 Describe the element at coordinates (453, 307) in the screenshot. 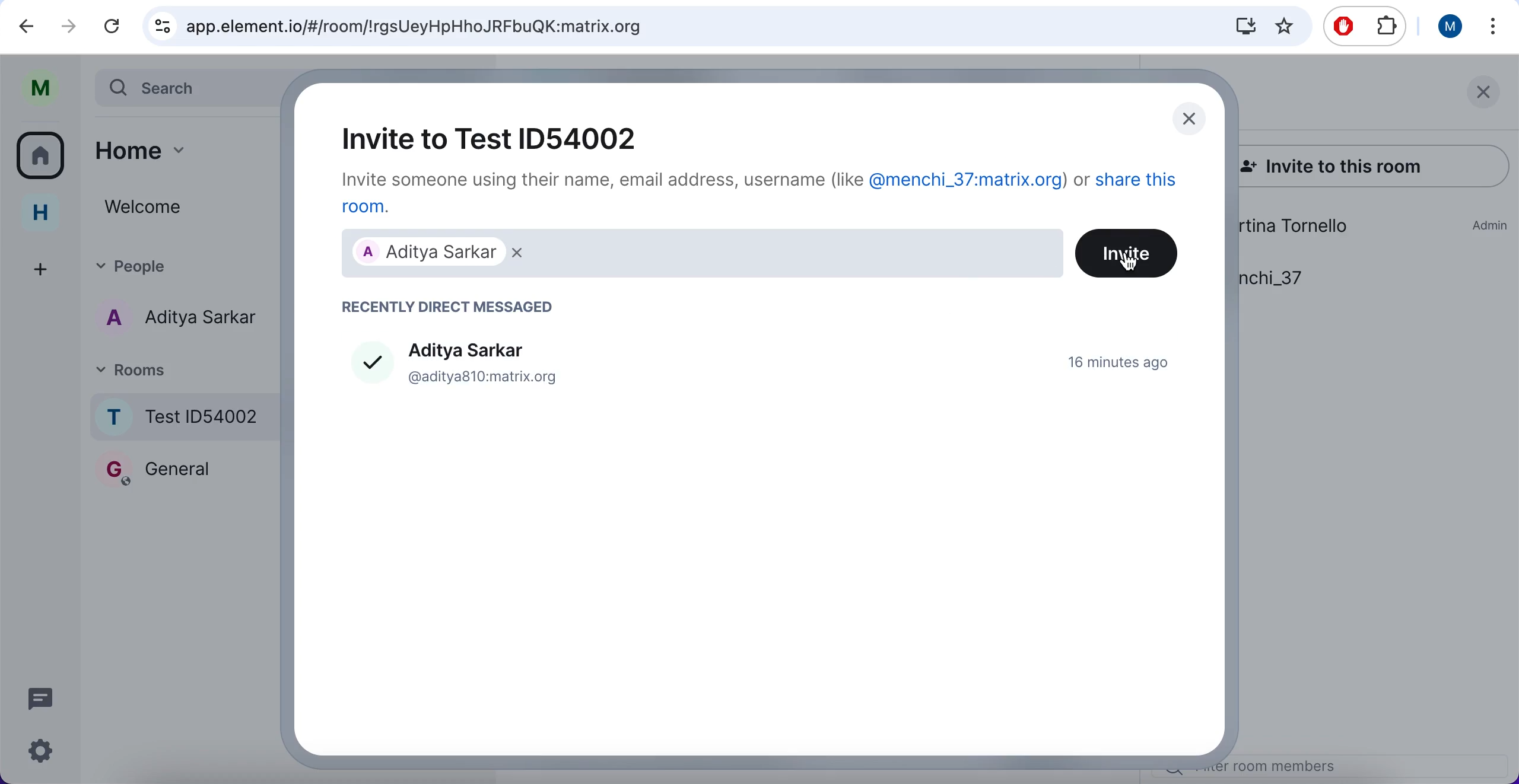

I see `recently direct messaged` at that location.